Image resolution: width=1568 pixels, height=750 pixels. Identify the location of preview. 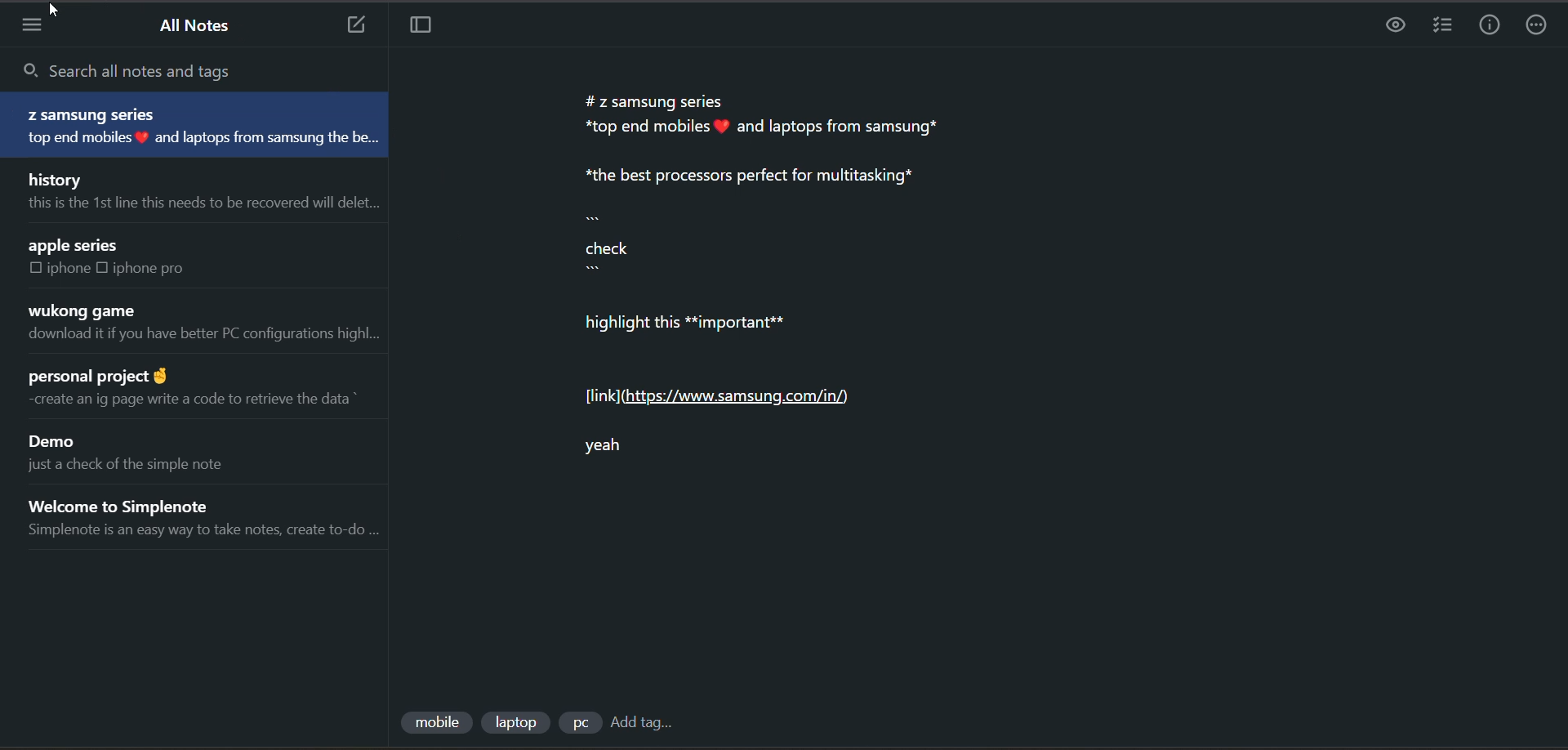
(1394, 26).